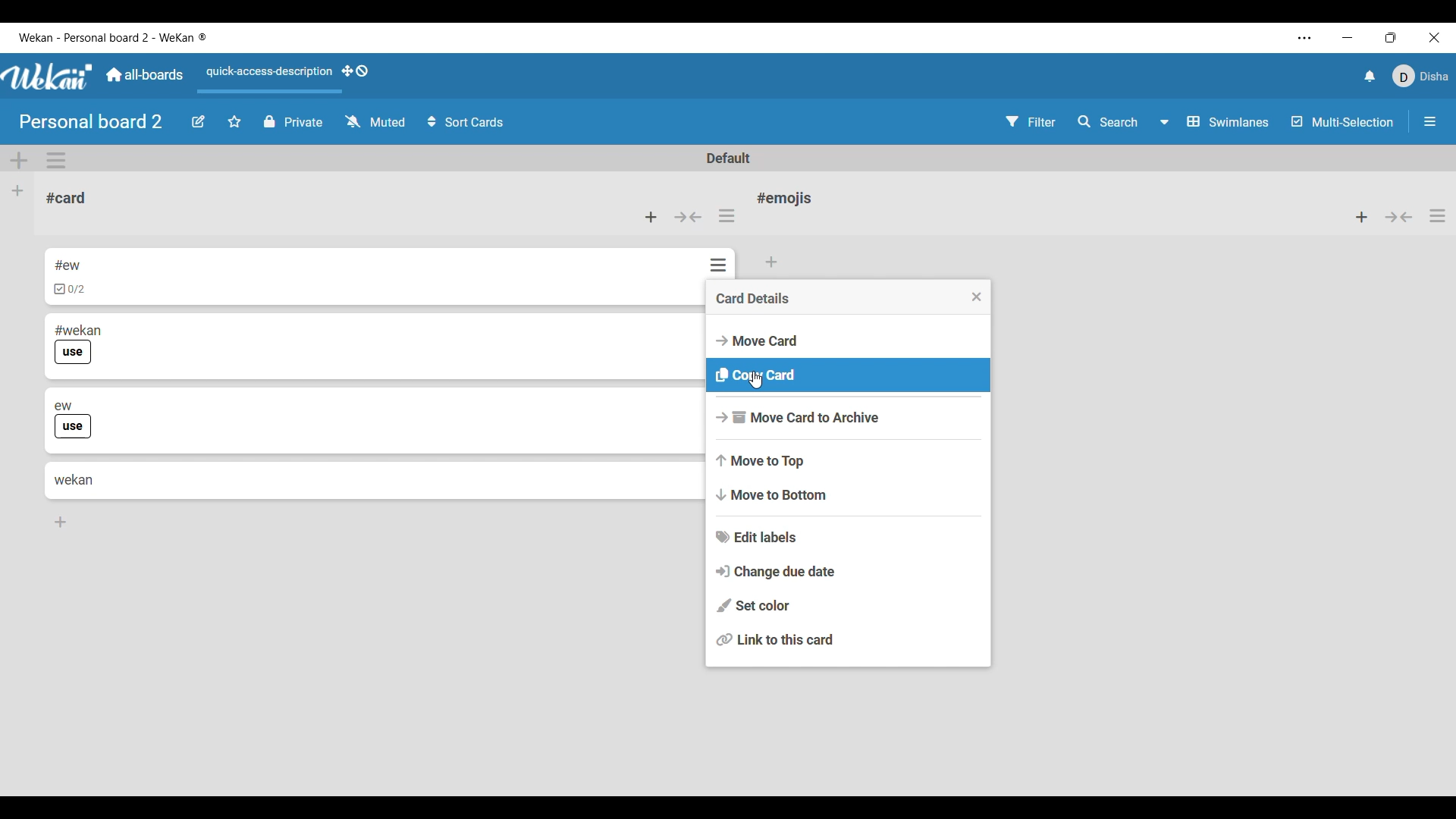 This screenshot has height=819, width=1456. What do you see at coordinates (49, 76) in the screenshot?
I see `Software logo` at bounding box center [49, 76].